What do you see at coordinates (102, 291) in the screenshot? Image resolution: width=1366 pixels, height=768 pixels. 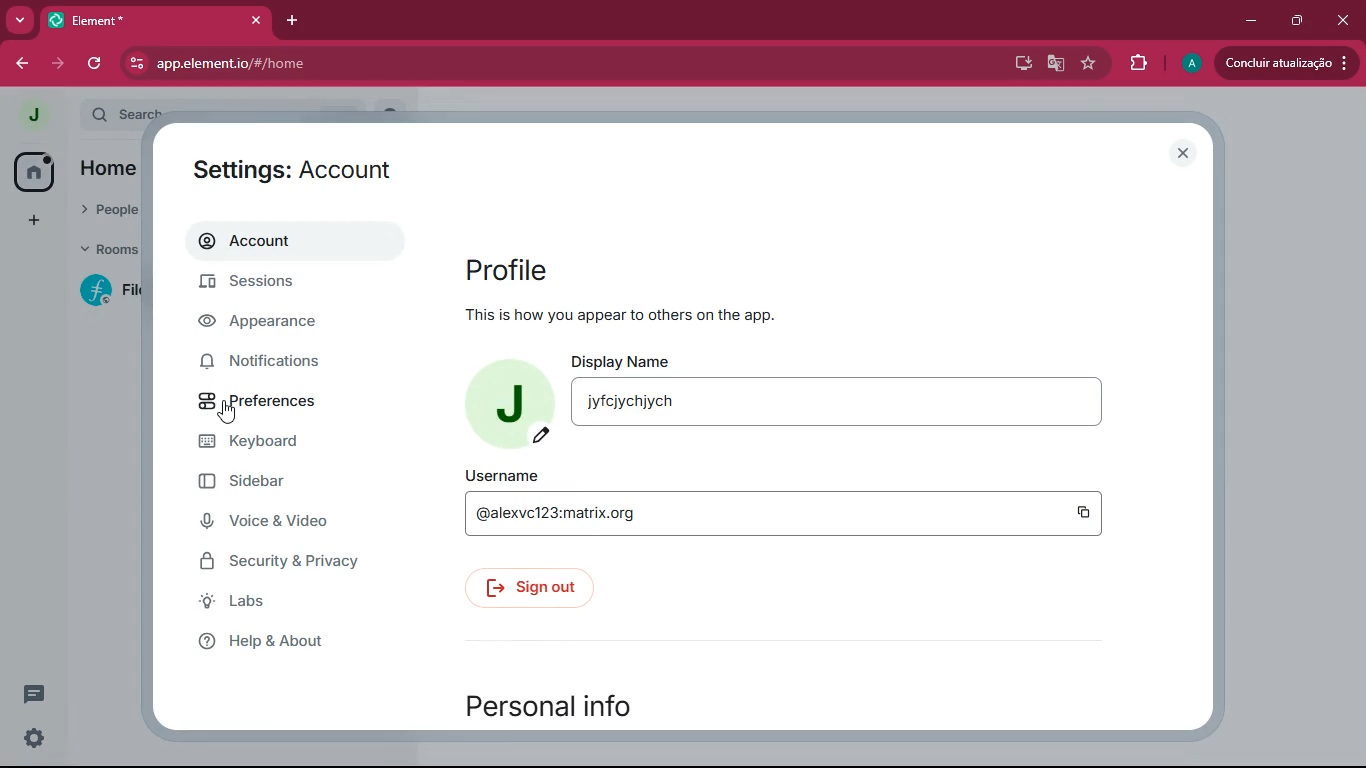 I see `room` at bounding box center [102, 291].